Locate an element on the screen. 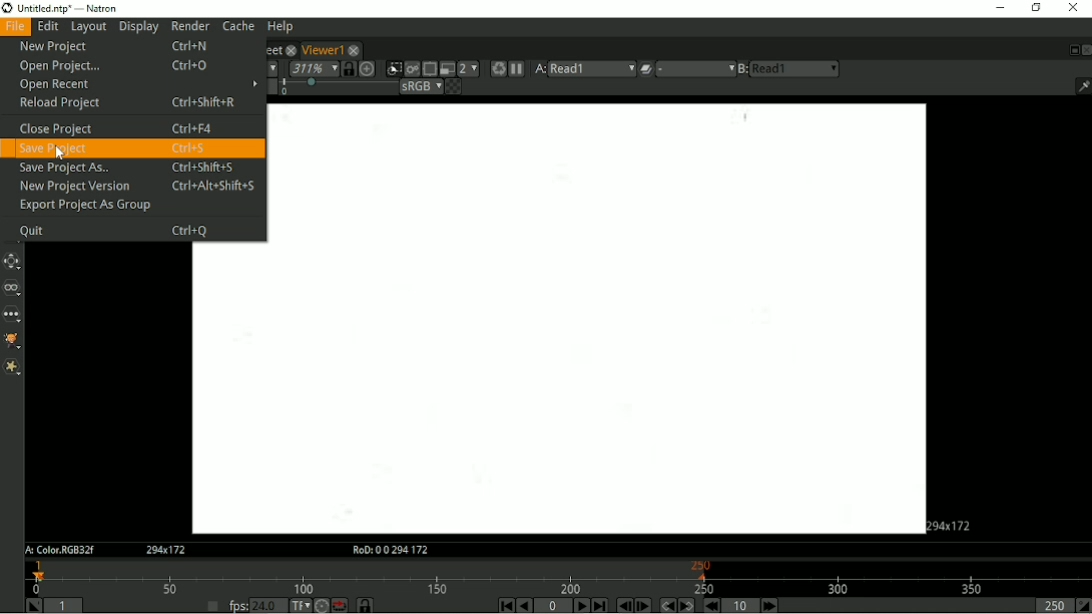  Viewer input B is located at coordinates (743, 70).